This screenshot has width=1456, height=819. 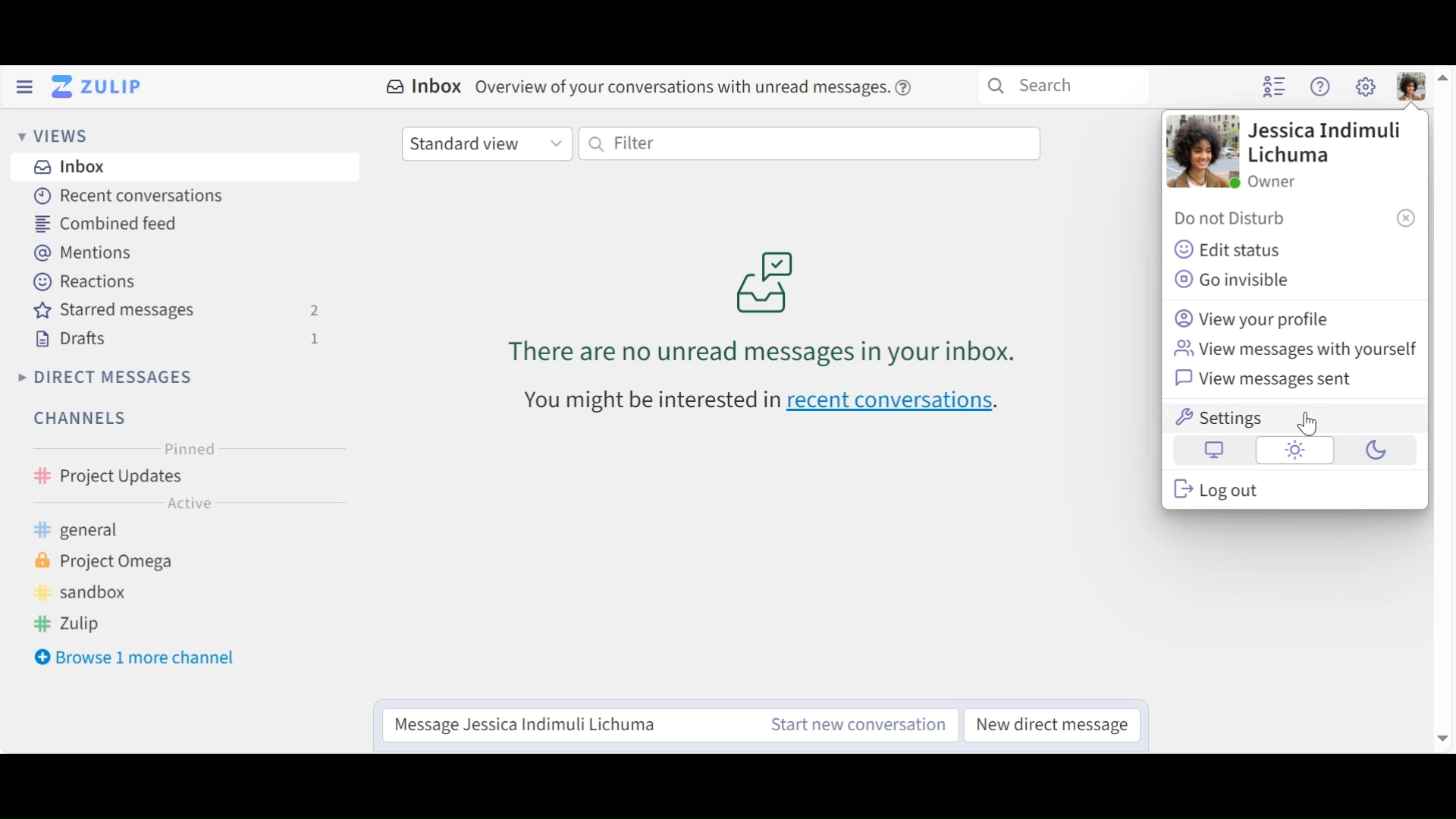 I want to click on Go Invisible, so click(x=1235, y=281).